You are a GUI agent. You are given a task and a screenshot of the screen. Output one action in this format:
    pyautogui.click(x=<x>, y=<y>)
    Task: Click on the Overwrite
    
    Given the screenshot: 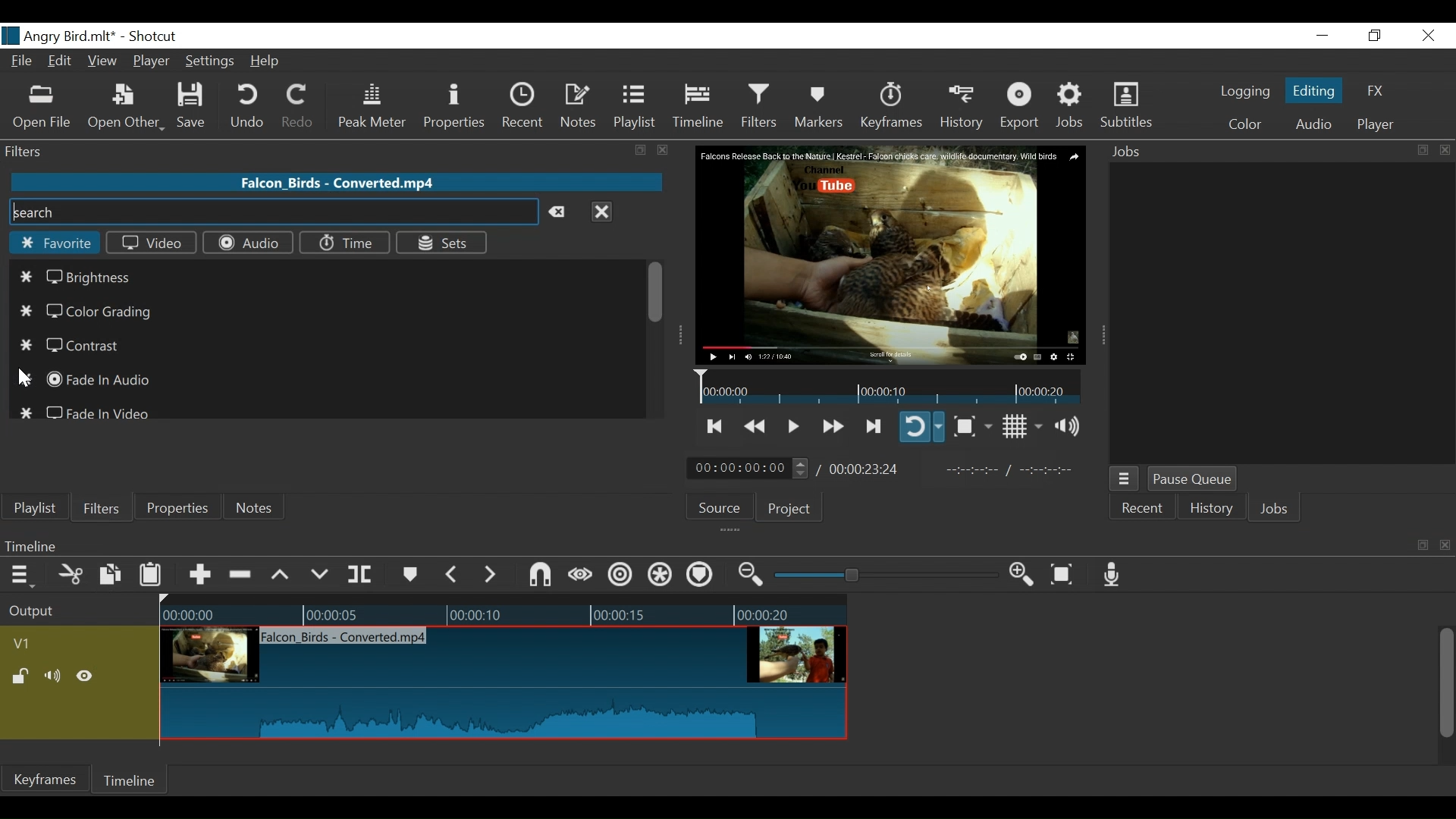 What is the action you would take?
    pyautogui.click(x=320, y=575)
    